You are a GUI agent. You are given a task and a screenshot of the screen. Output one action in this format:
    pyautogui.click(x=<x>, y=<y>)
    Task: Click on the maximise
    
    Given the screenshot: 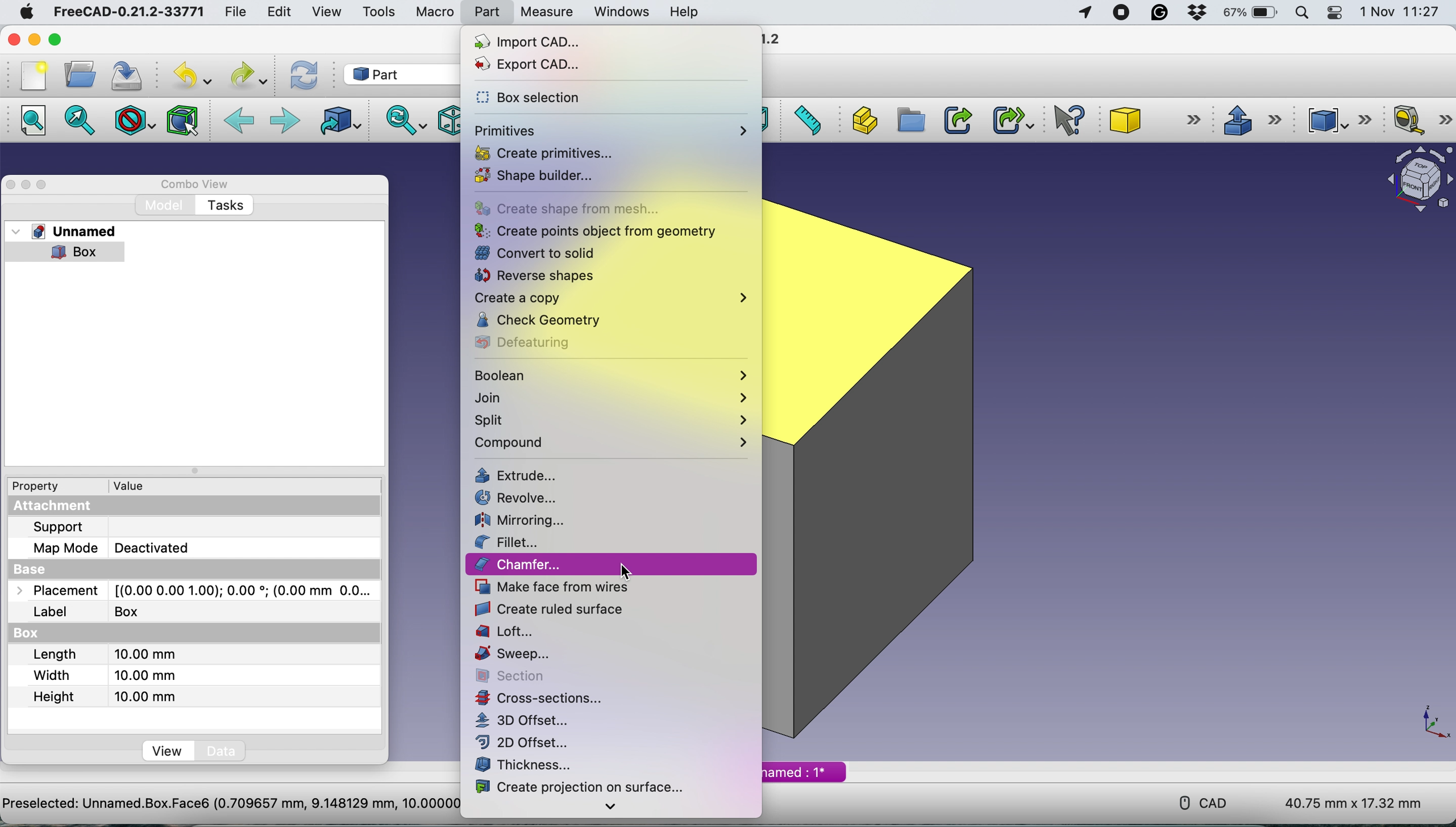 What is the action you would take?
    pyautogui.click(x=45, y=186)
    